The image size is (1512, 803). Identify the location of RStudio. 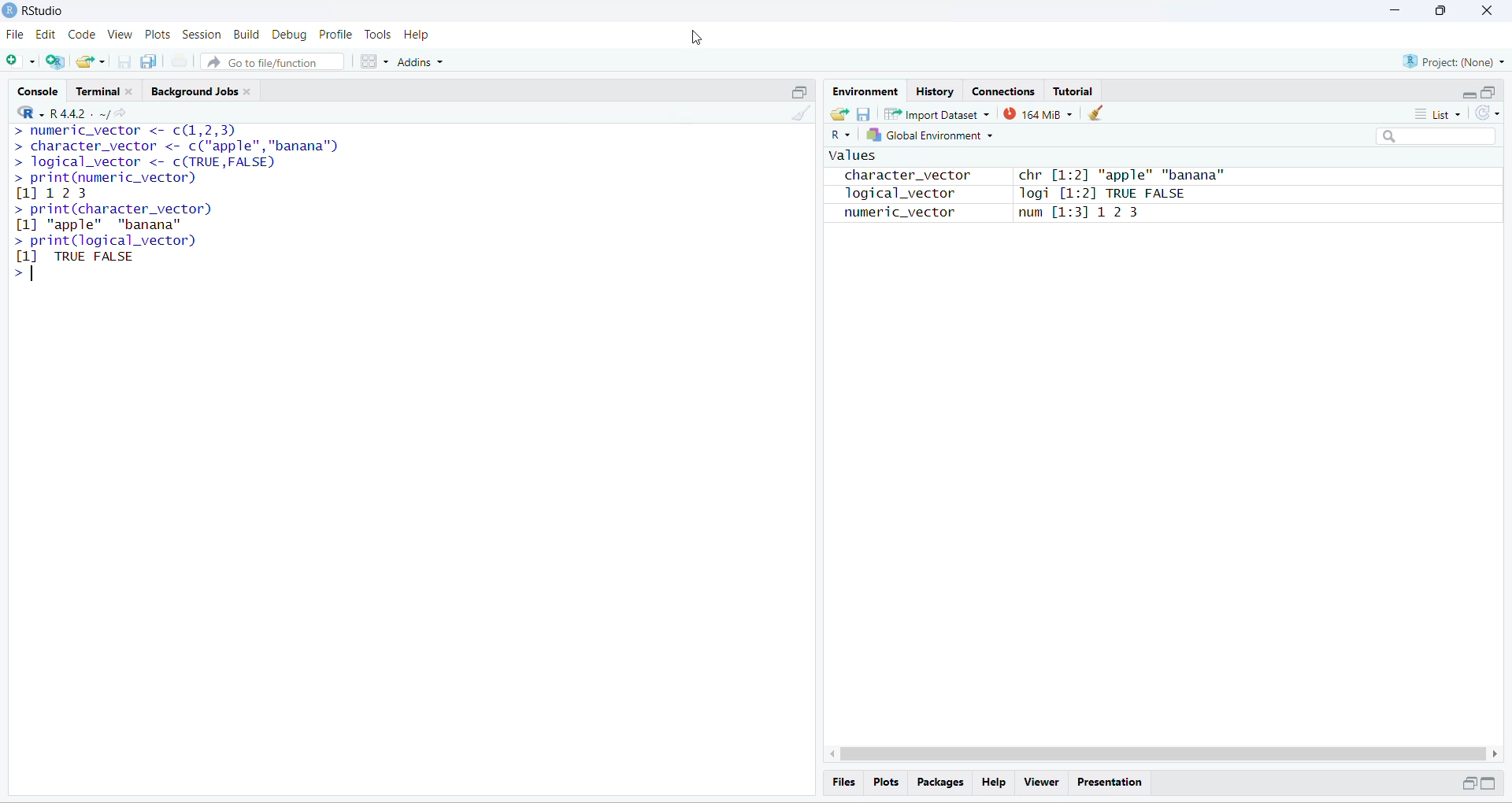
(47, 9).